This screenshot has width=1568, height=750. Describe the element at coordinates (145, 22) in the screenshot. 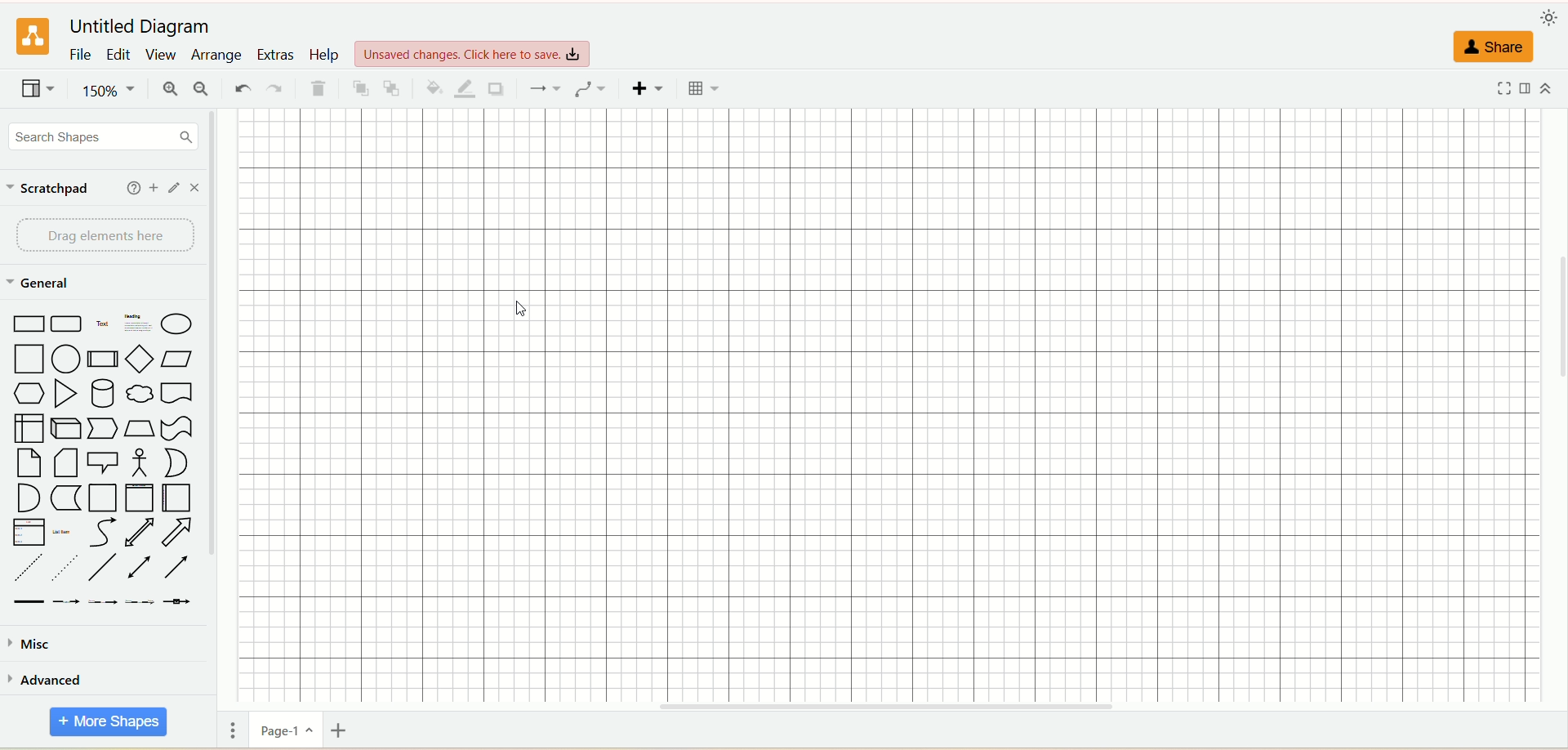

I see `Untitled Diagram` at that location.